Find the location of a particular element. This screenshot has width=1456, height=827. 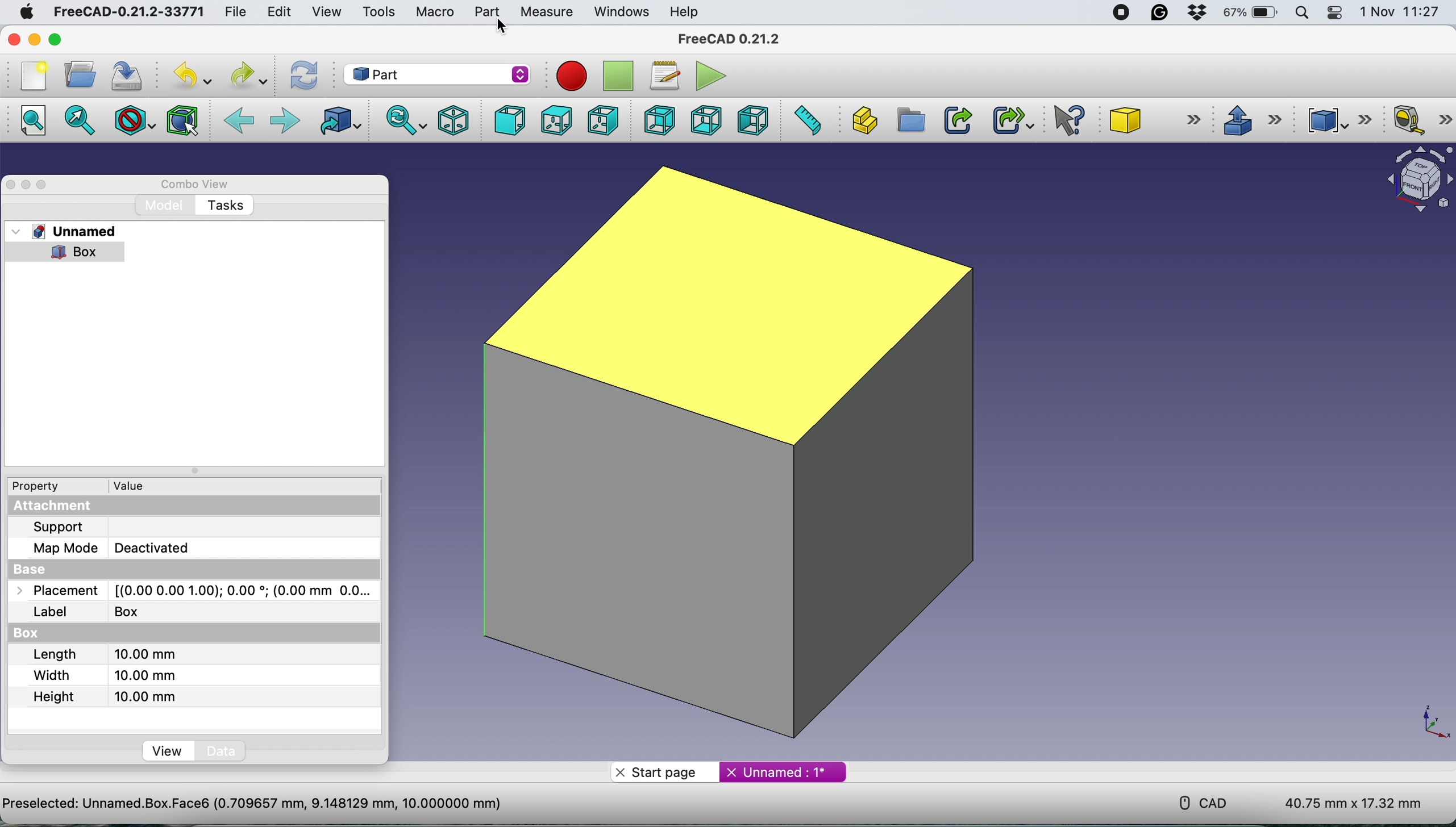

spotlight searc is located at coordinates (1305, 15).